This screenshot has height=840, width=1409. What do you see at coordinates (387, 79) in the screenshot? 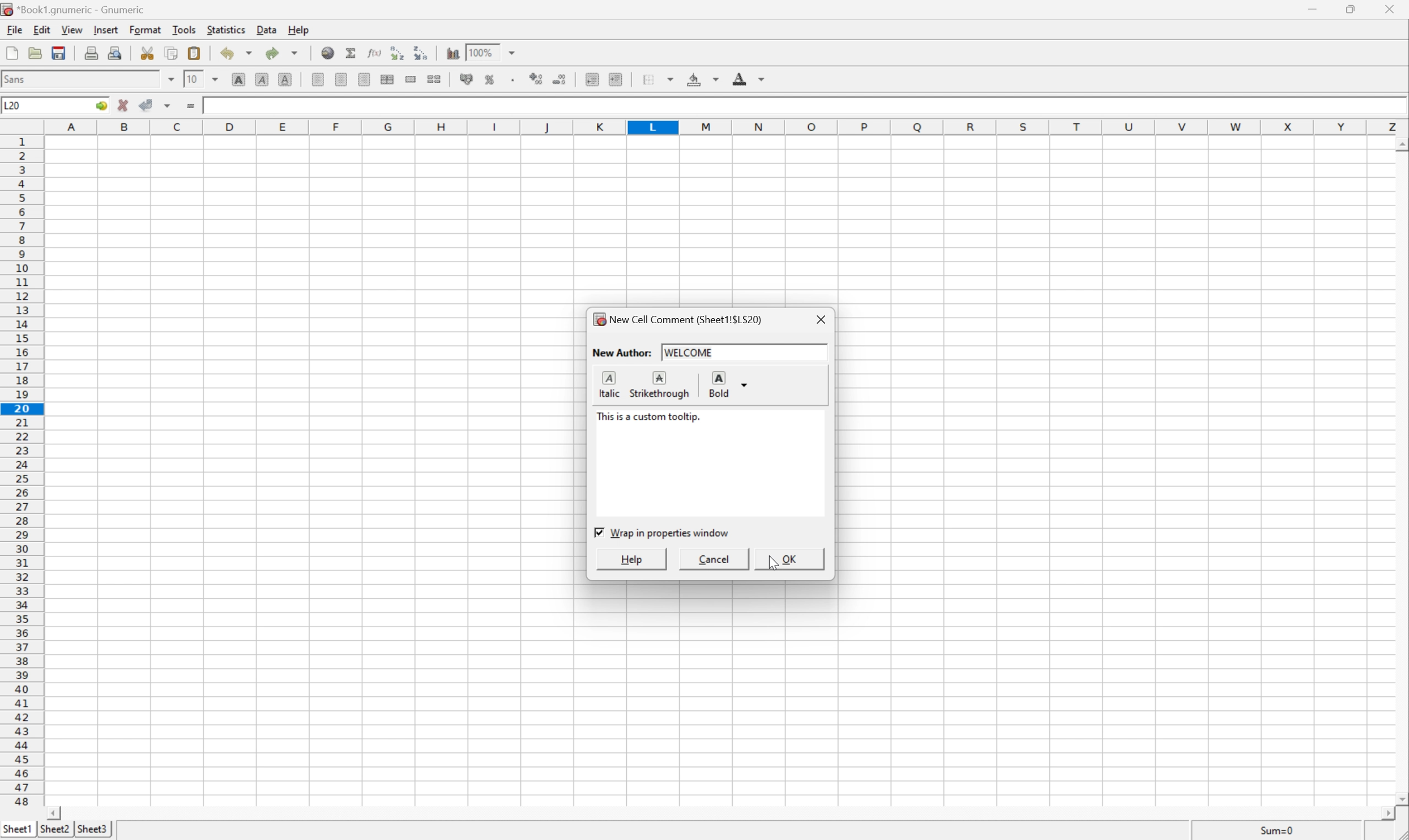
I see `Center horizontally across selection` at bounding box center [387, 79].